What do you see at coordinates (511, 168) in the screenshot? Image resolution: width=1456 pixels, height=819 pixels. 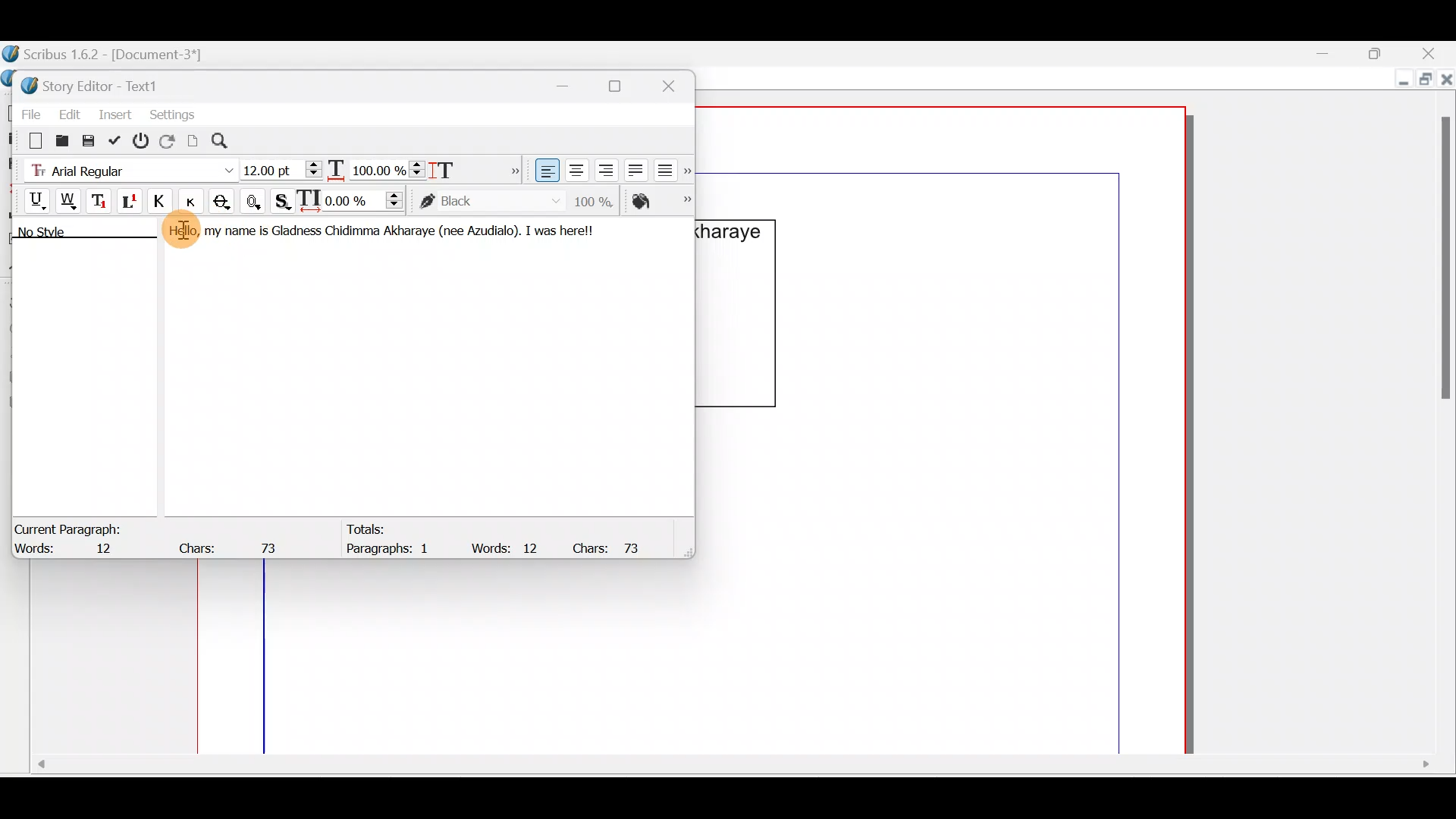 I see `More` at bounding box center [511, 168].